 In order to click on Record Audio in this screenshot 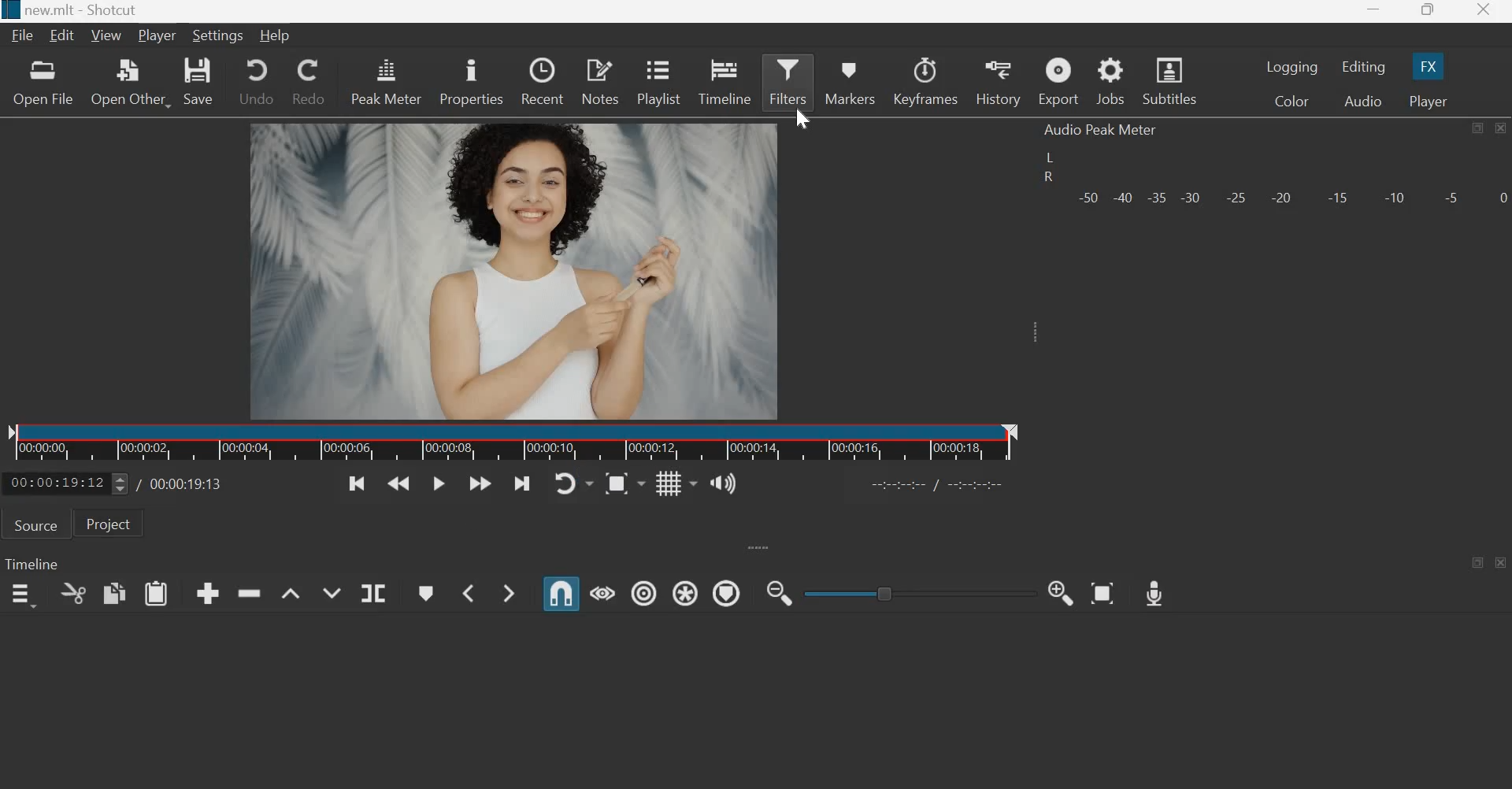, I will do `click(1153, 589)`.